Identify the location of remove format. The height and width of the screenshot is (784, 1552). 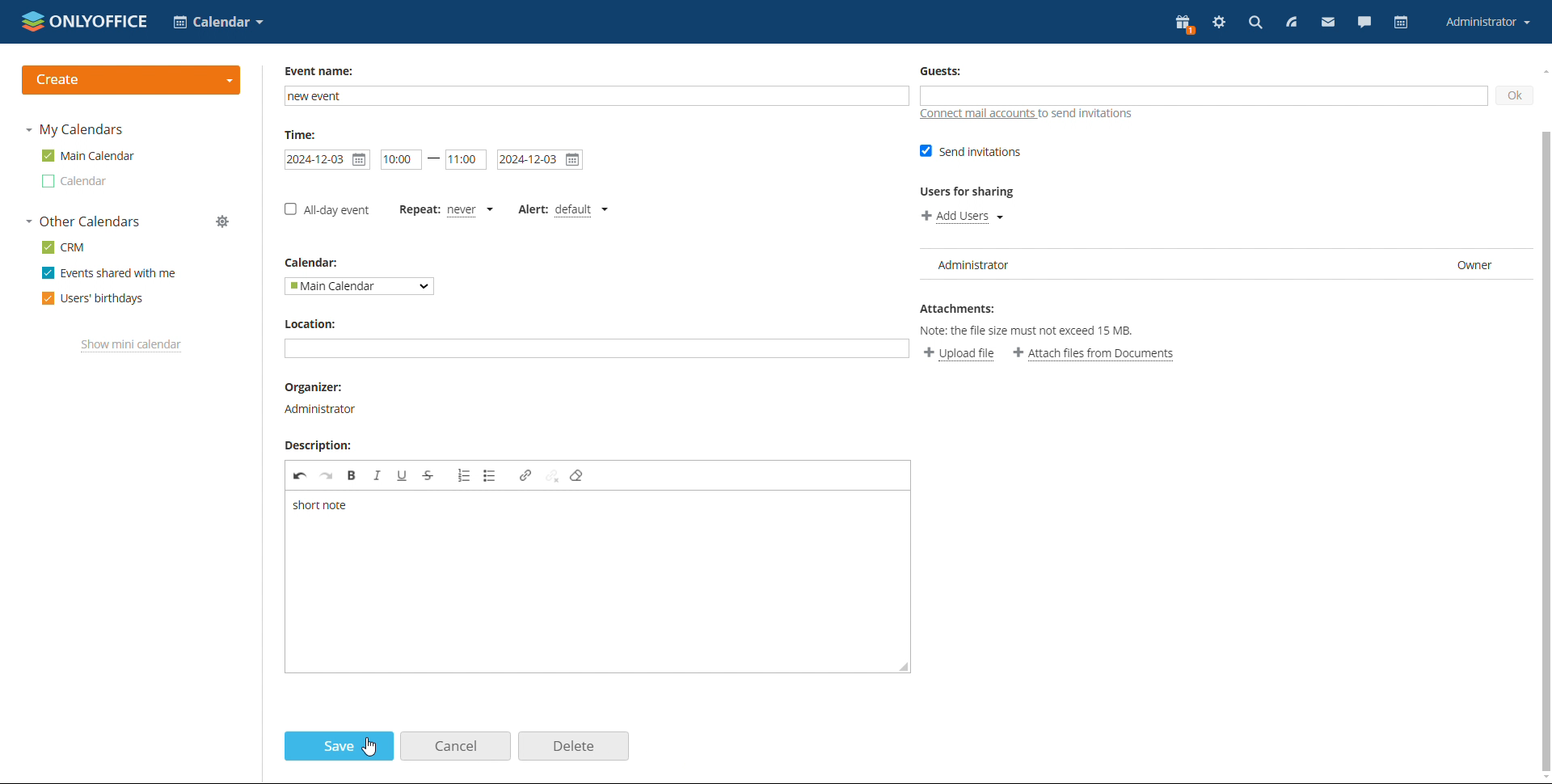
(580, 477).